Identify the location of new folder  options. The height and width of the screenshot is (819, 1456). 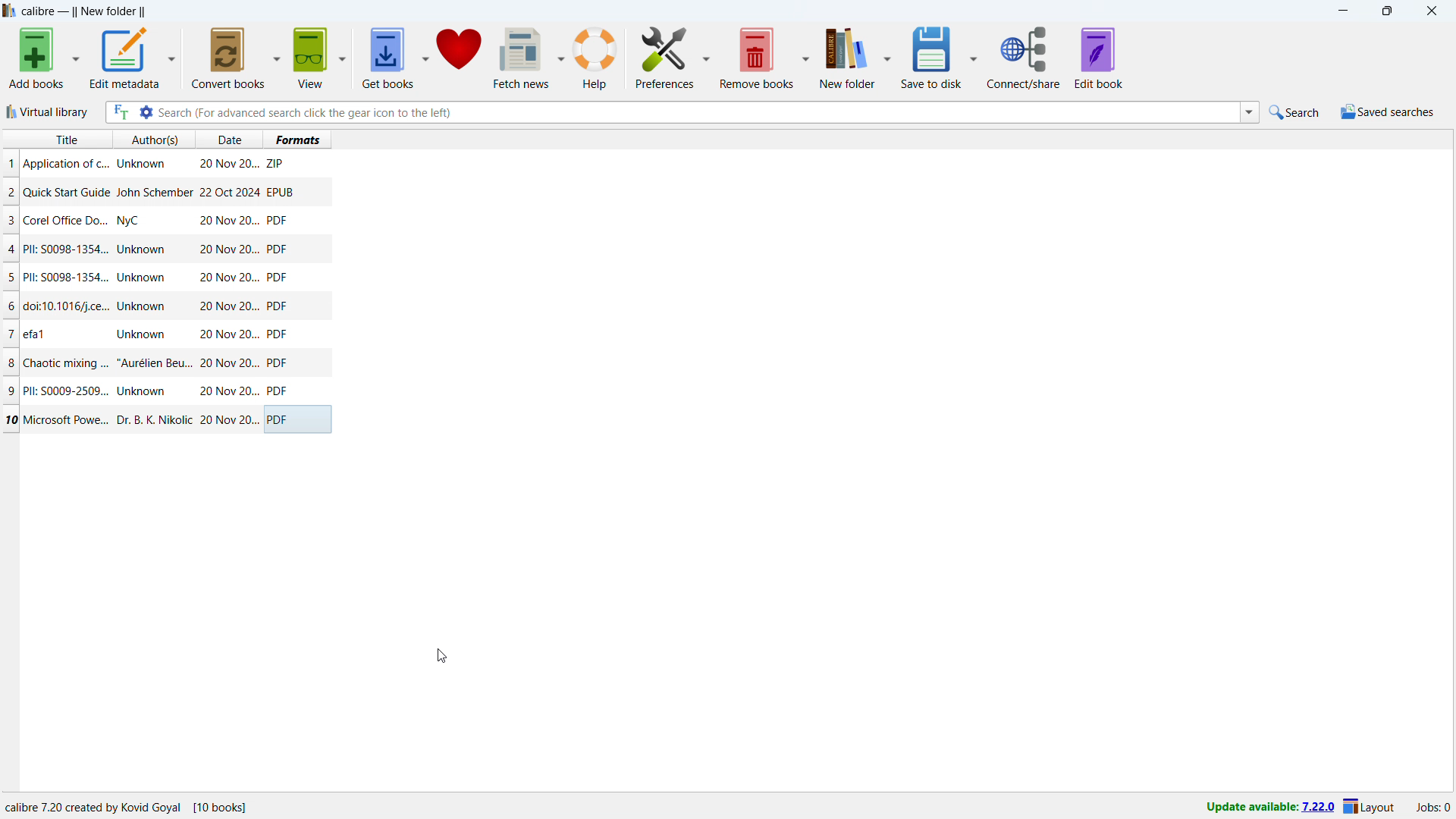
(889, 57).